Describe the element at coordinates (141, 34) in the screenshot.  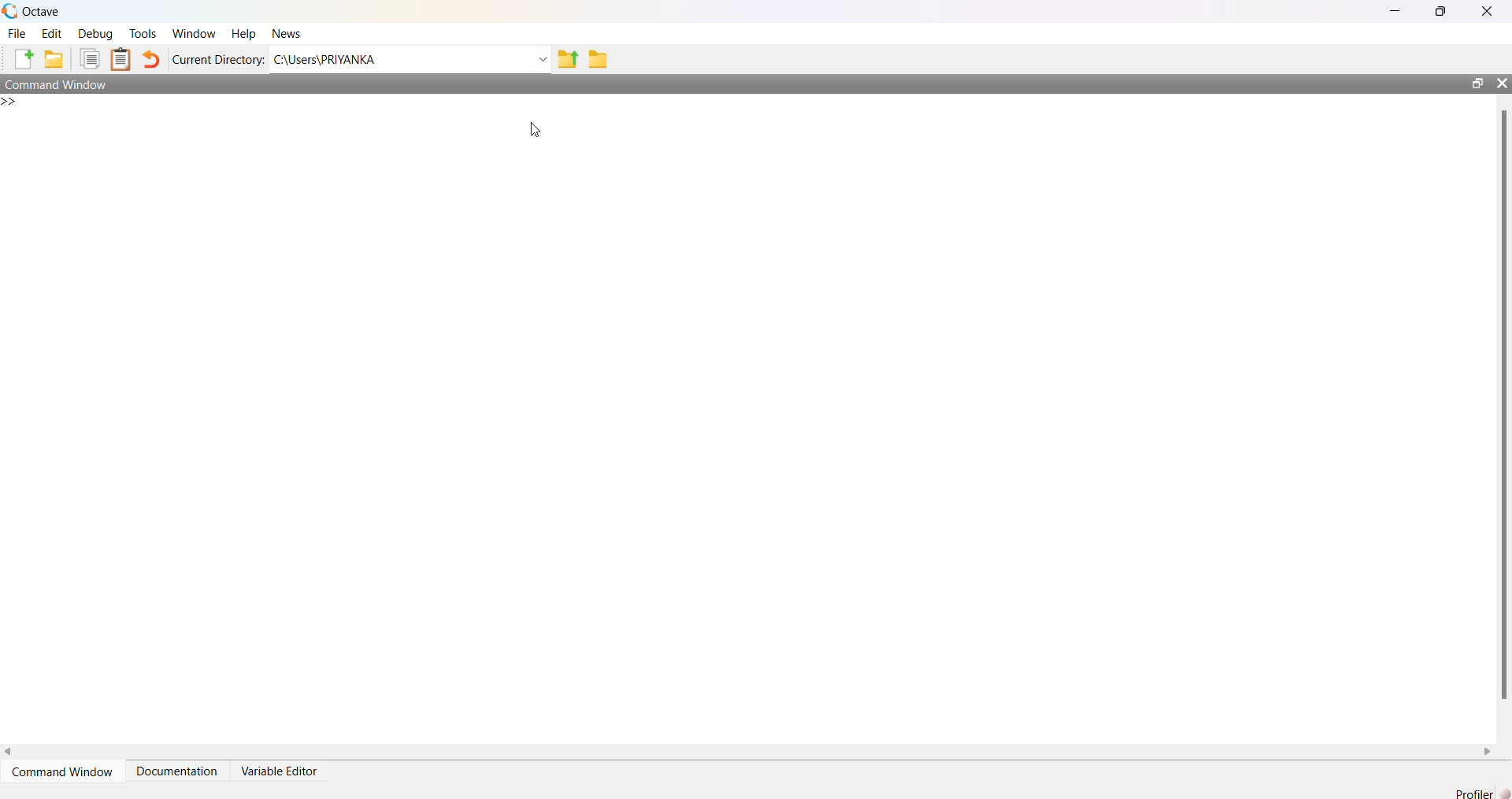
I see `Tools` at that location.